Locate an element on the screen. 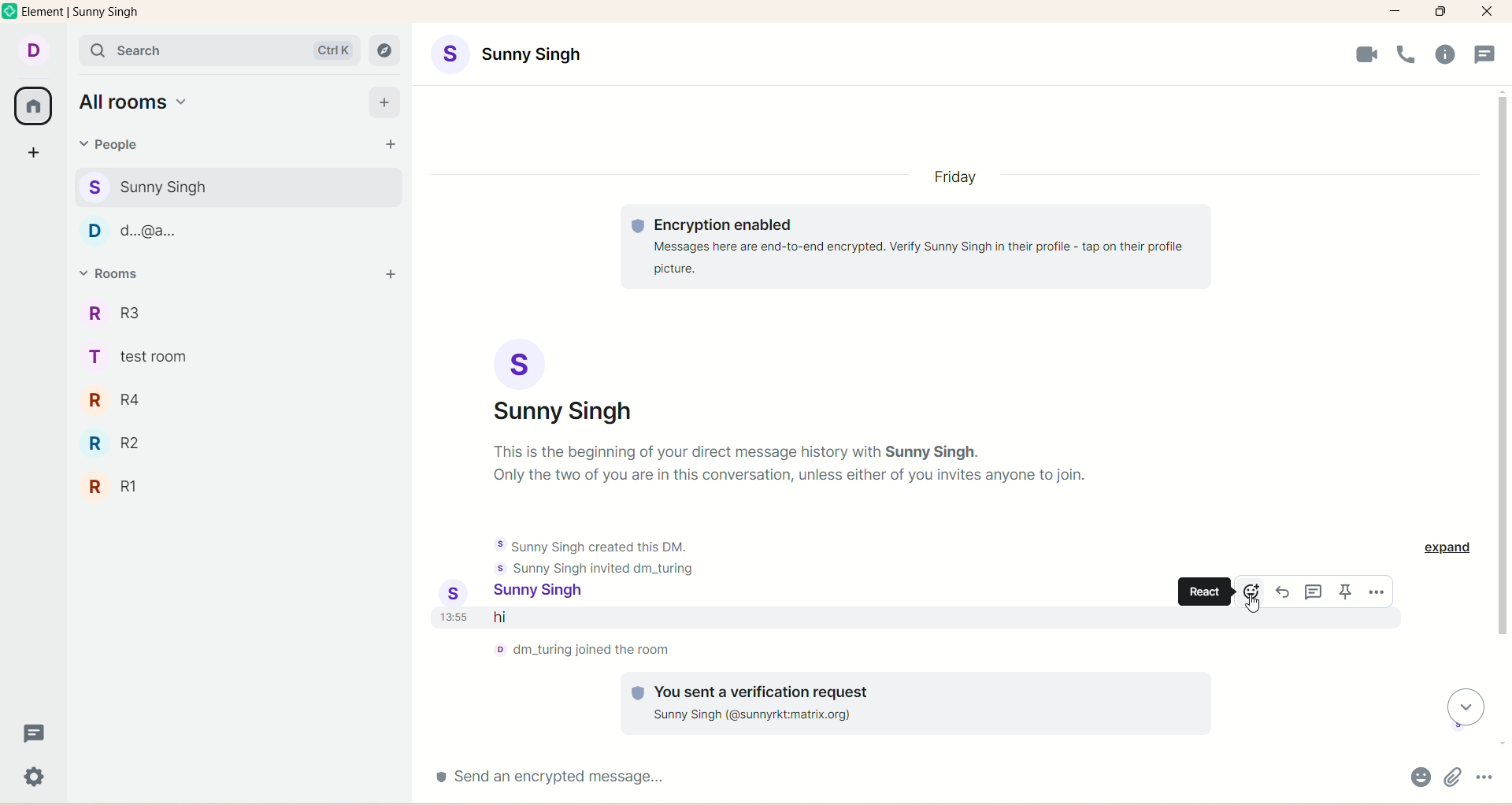  Cursor is located at coordinates (1253, 603).